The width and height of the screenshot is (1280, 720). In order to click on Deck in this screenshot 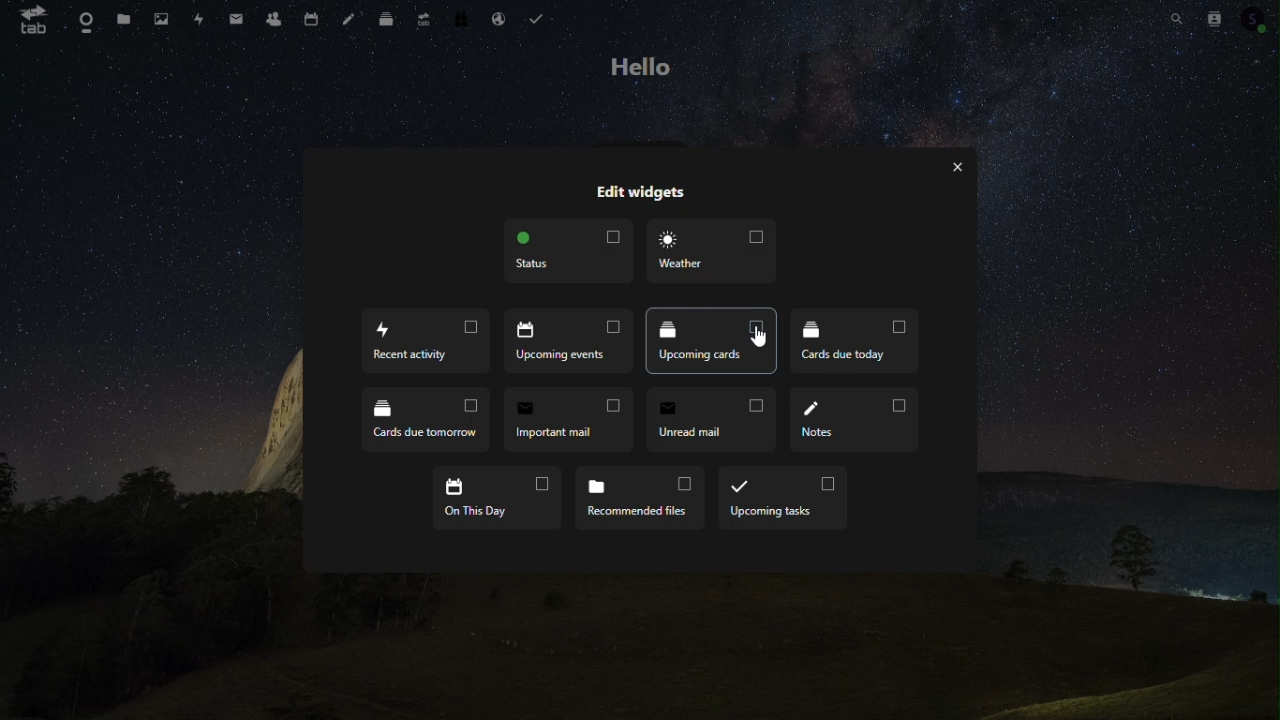, I will do `click(389, 16)`.